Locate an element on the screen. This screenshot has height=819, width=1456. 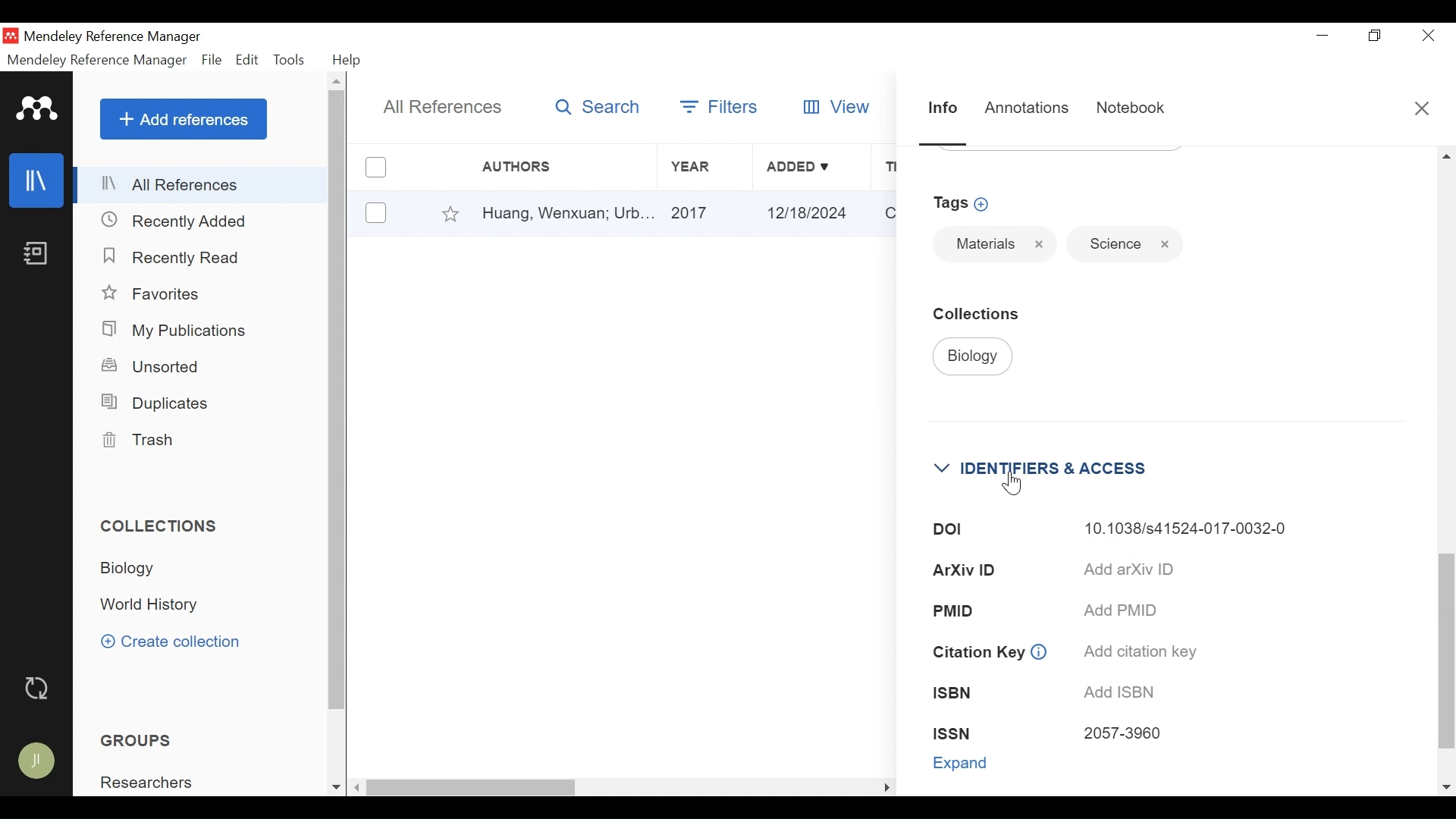
Favorites is located at coordinates (155, 294).